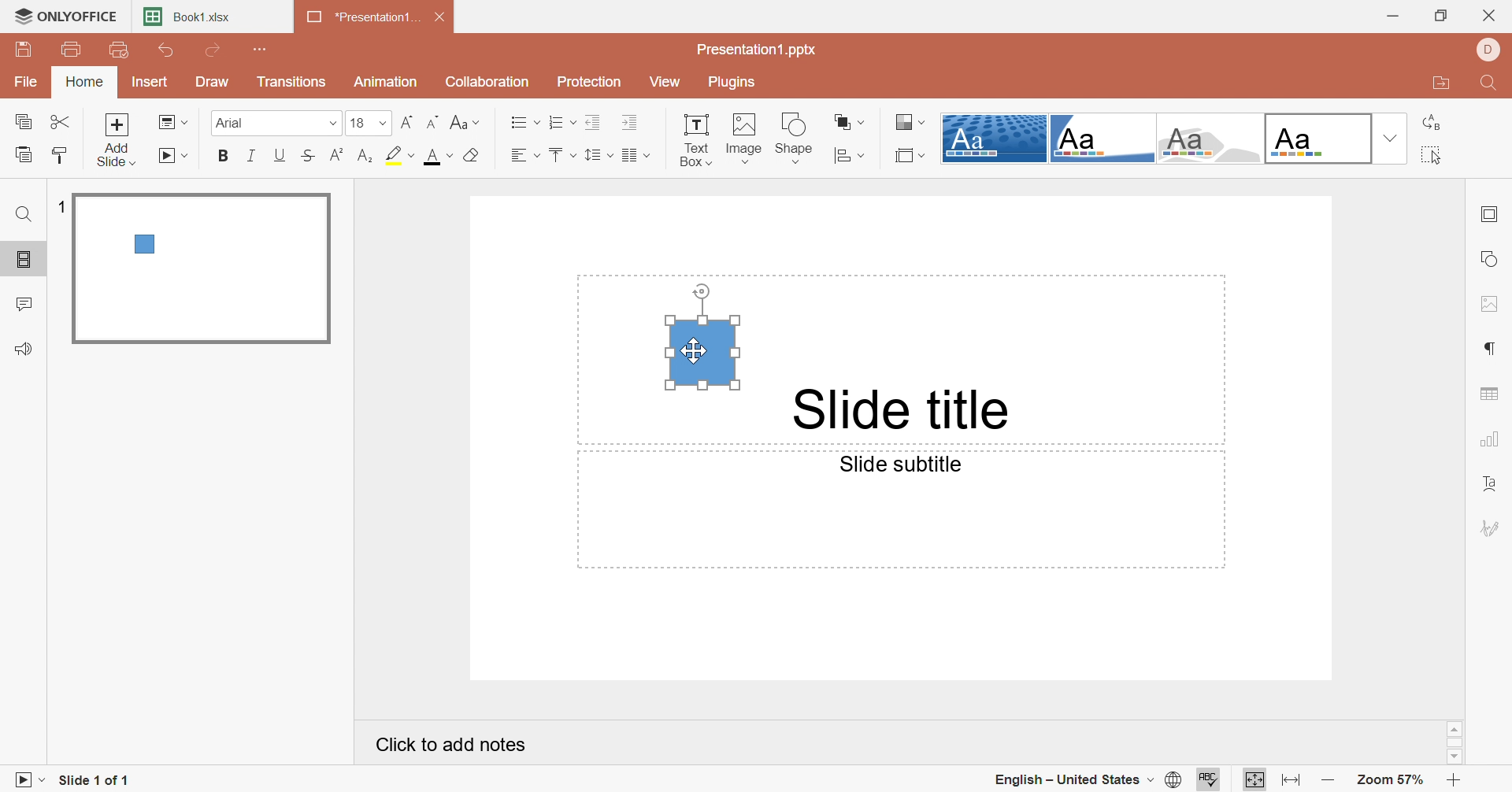 The image size is (1512, 792). I want to click on Scroll Bar, so click(1457, 743).